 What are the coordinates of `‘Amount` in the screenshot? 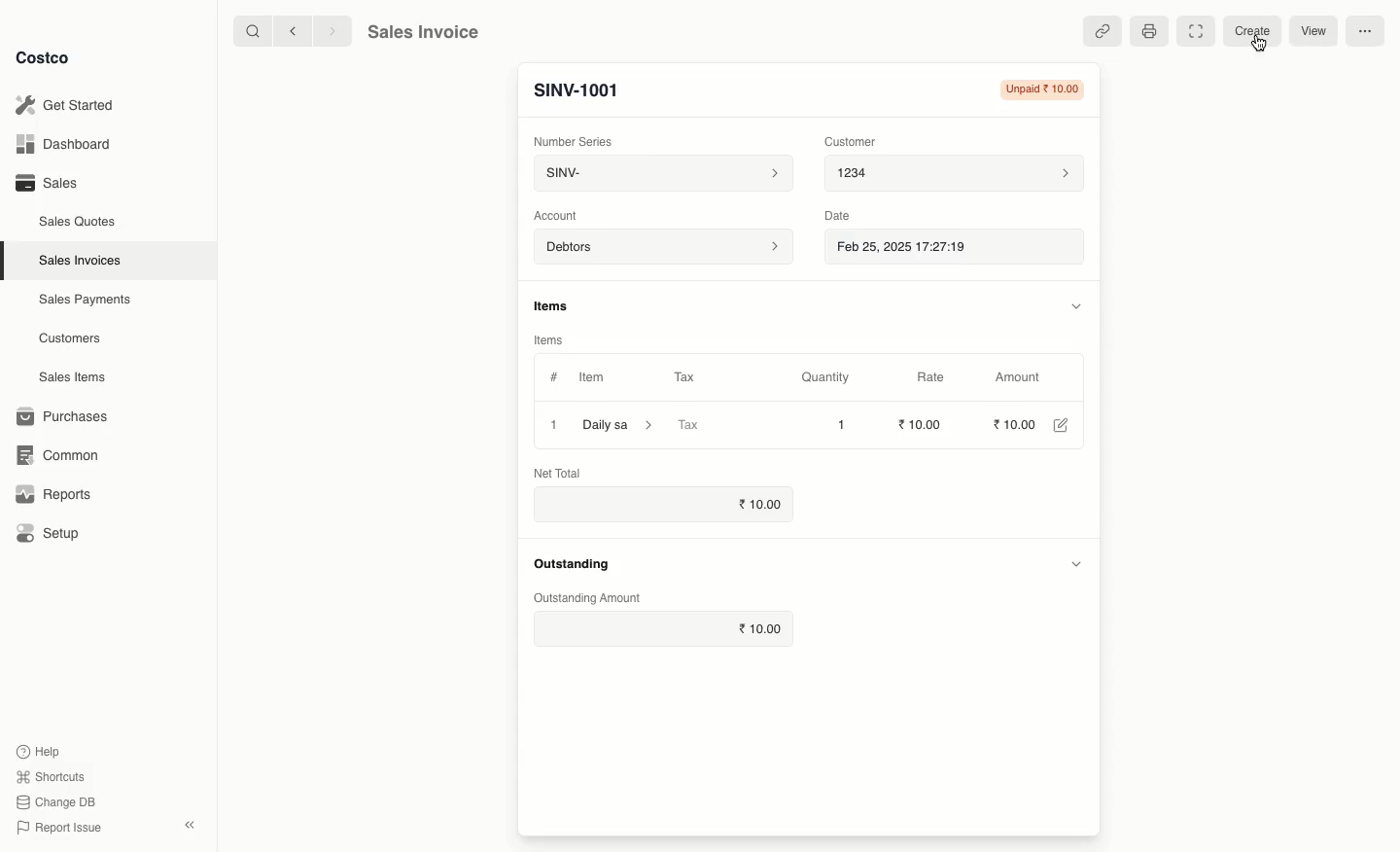 It's located at (1018, 378).